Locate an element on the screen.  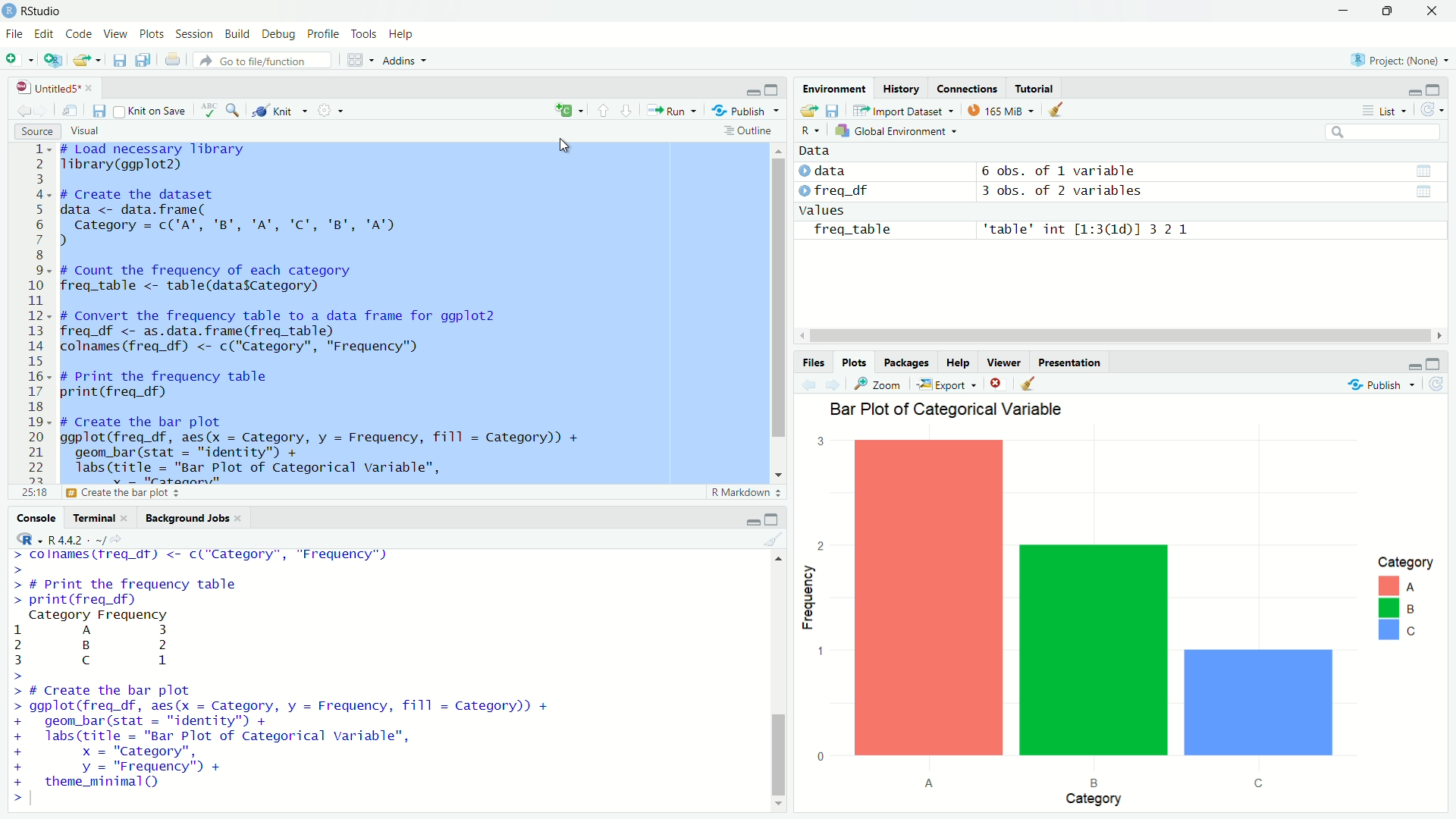
Addins is located at coordinates (406, 63).